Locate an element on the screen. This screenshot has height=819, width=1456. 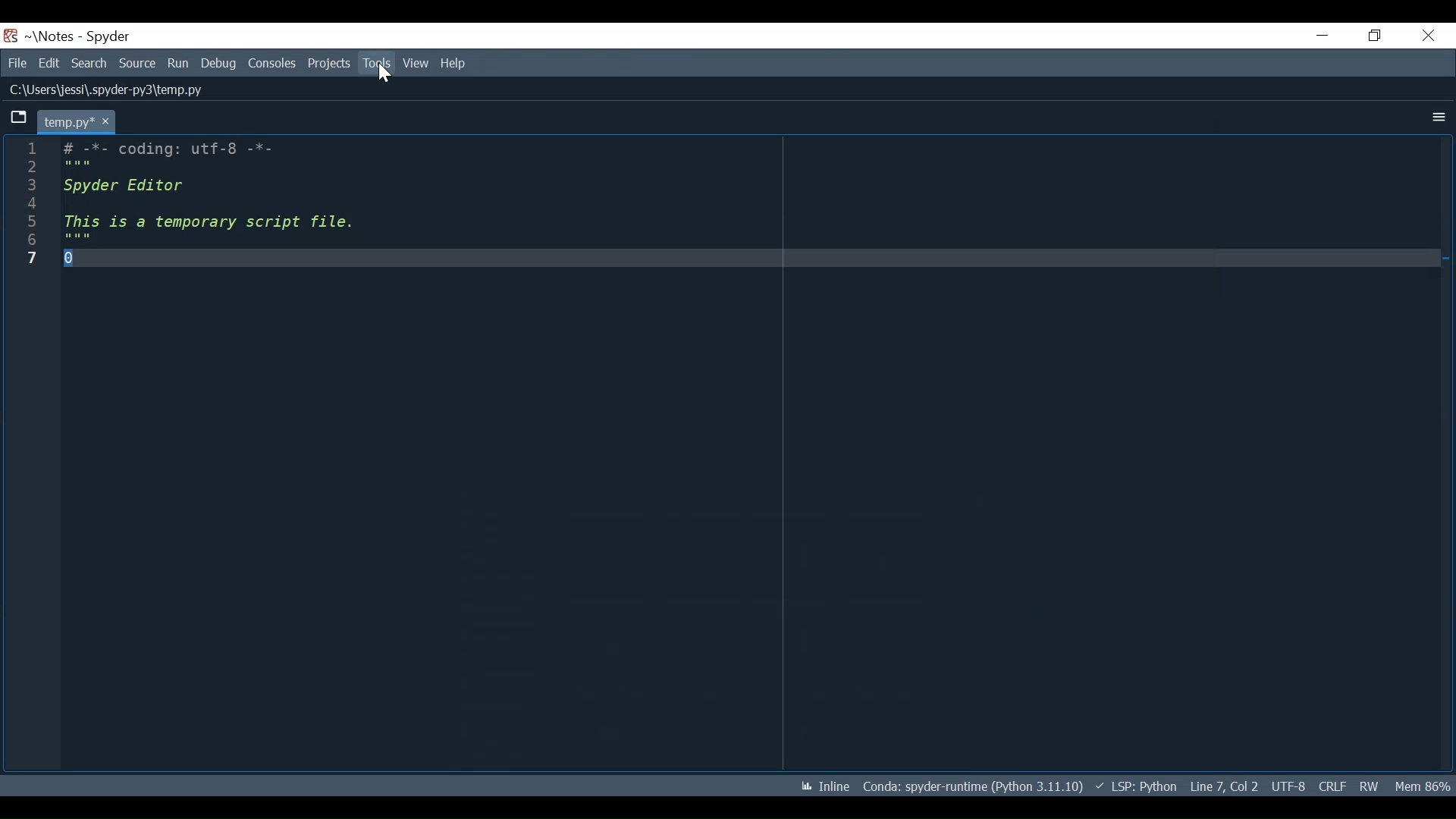
Cursor is located at coordinates (384, 77).